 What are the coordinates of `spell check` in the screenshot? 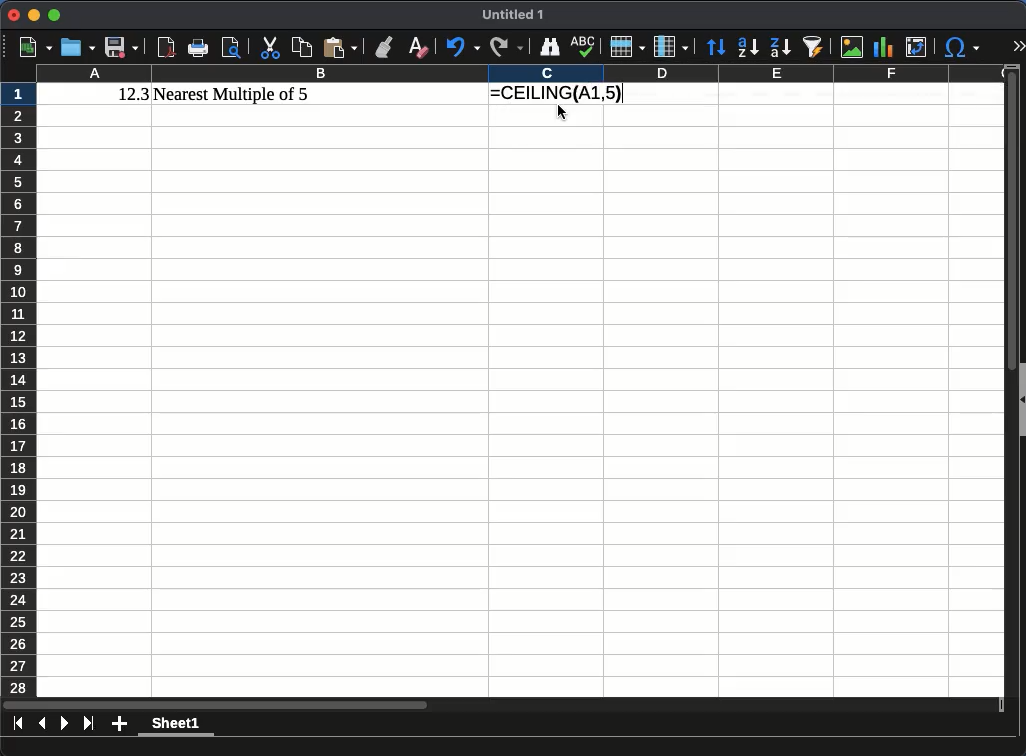 It's located at (583, 45).